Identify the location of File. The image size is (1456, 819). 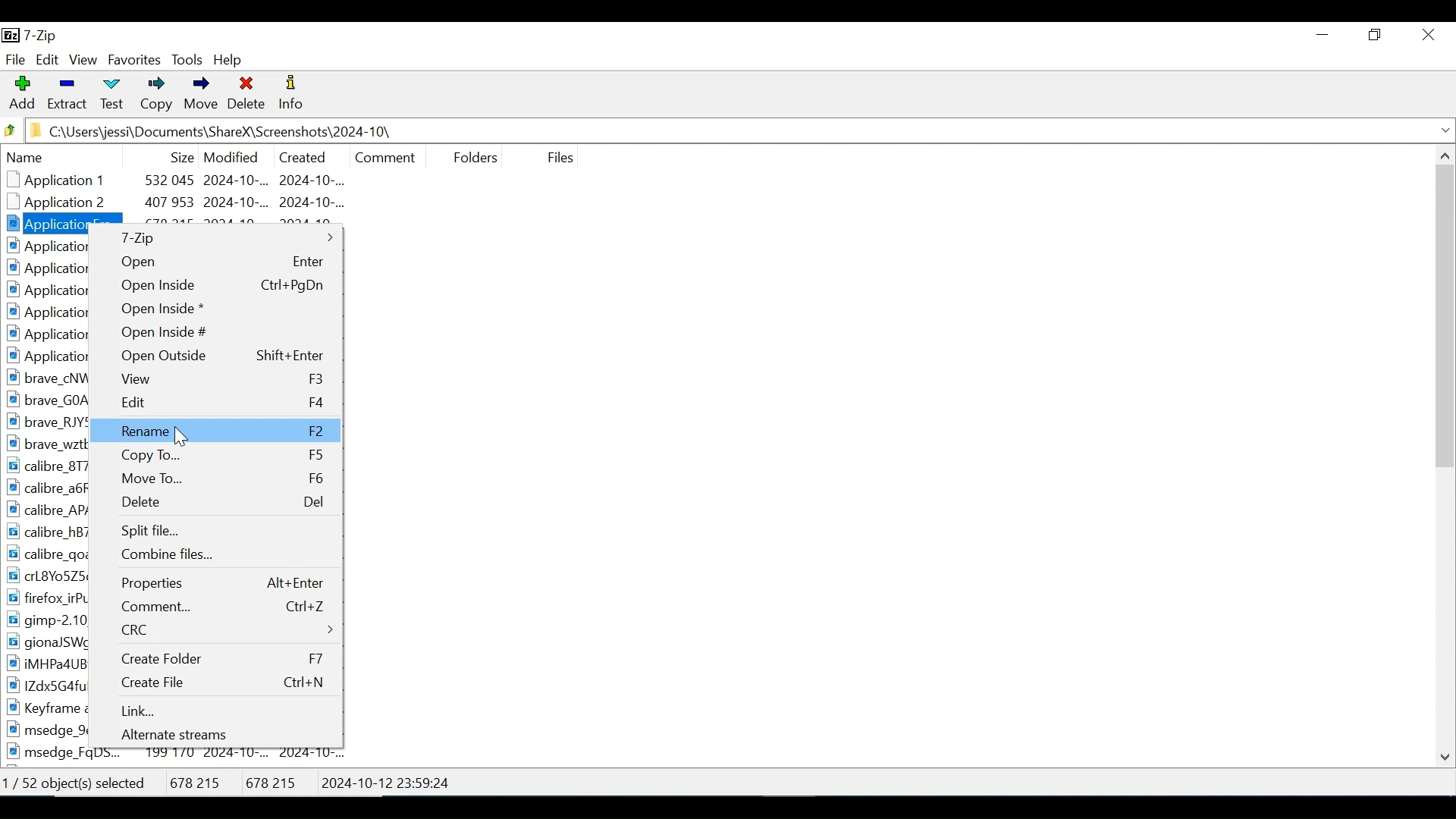
(15, 58).